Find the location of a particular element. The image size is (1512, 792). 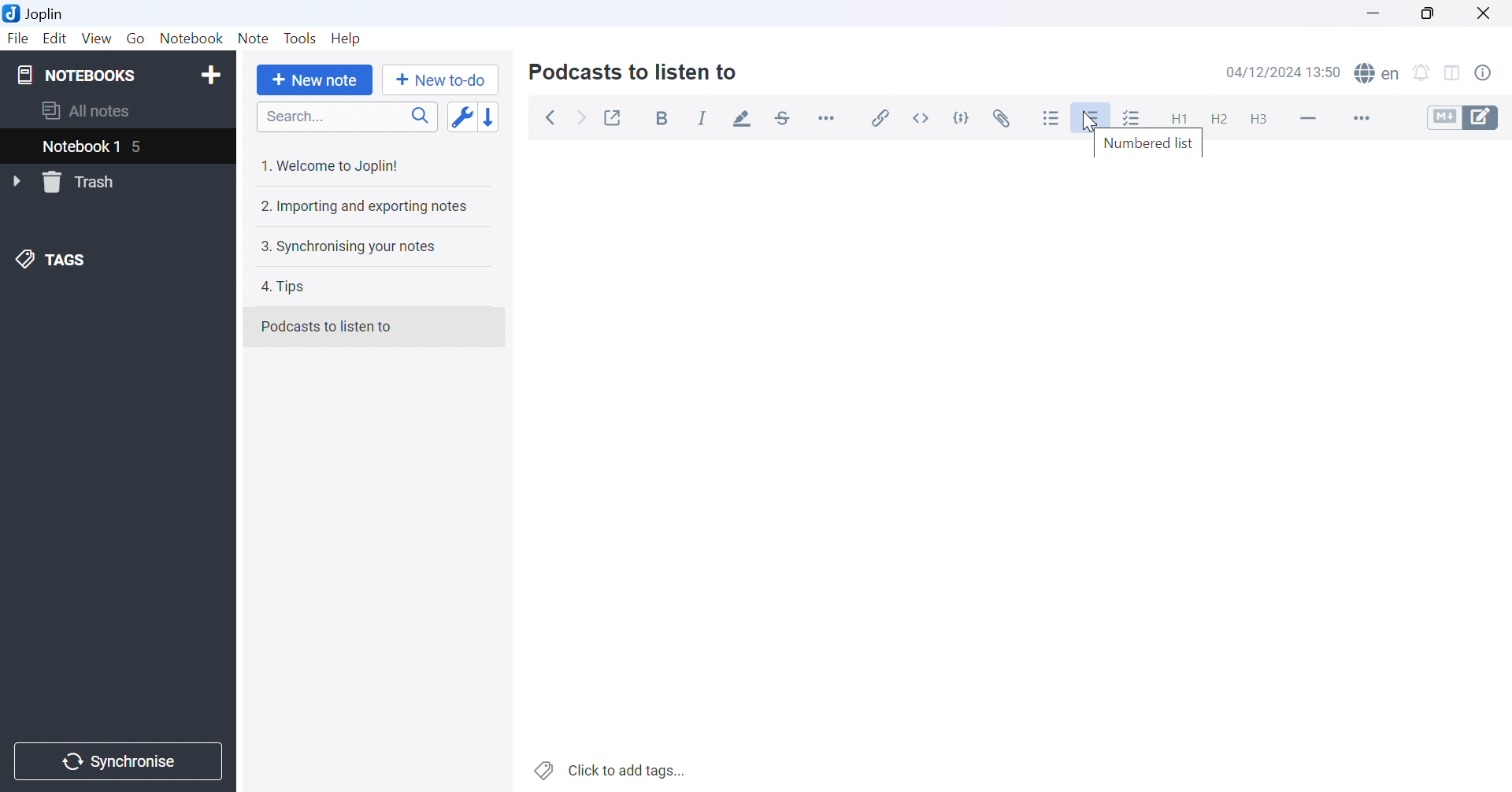

View is located at coordinates (97, 37).